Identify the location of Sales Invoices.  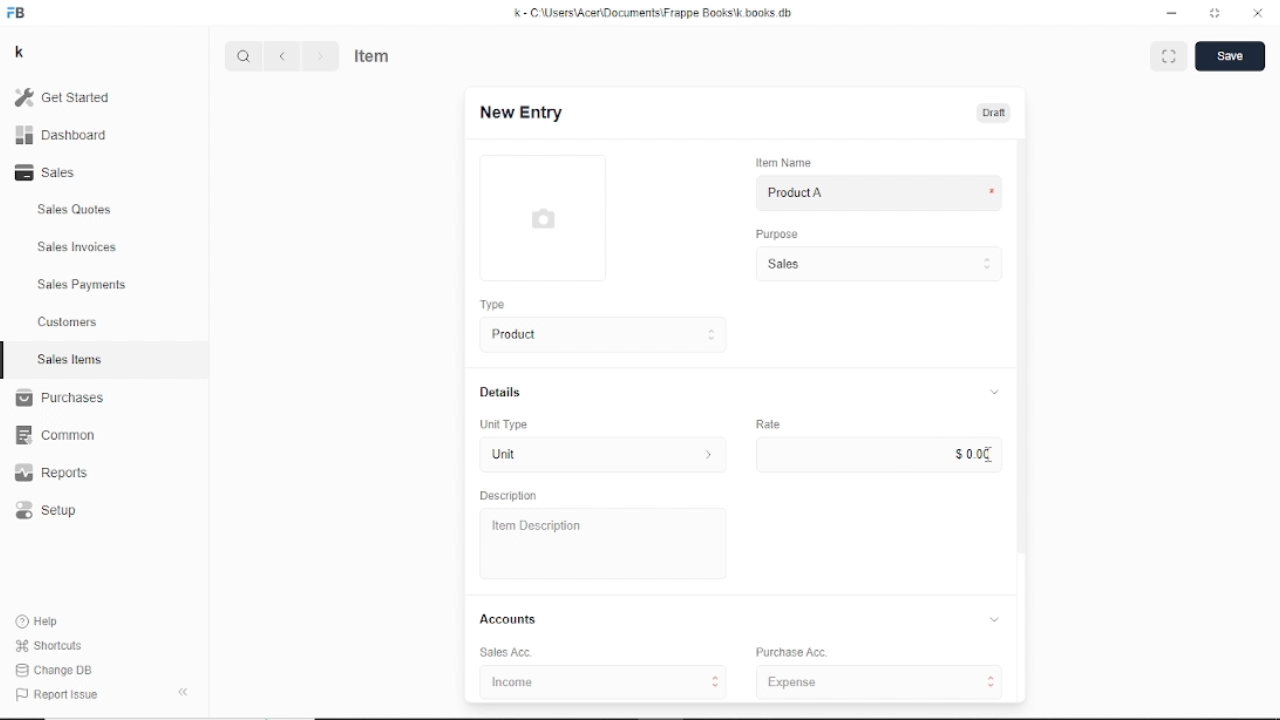
(77, 248).